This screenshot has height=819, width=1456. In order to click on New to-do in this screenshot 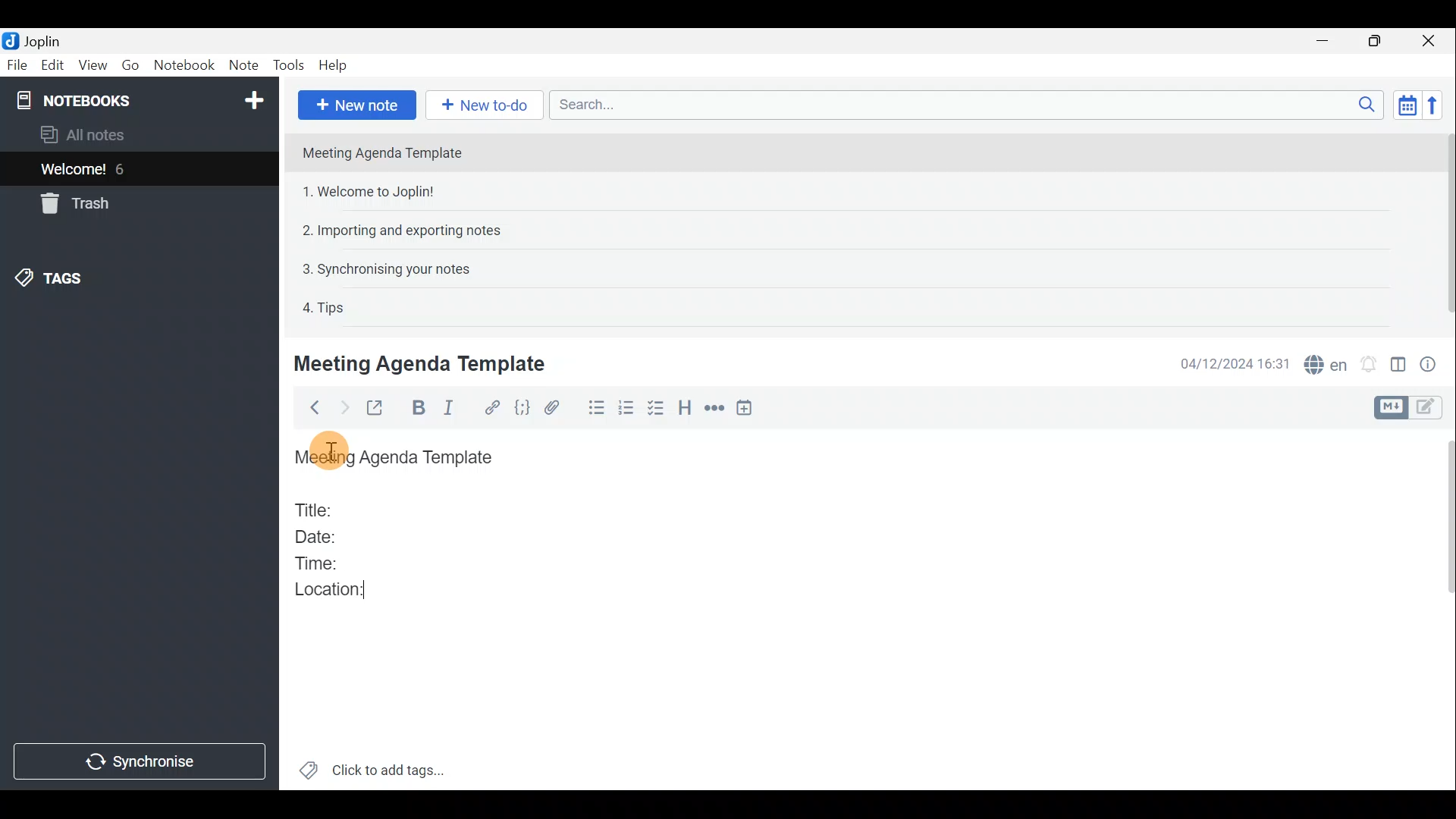, I will do `click(477, 105)`.